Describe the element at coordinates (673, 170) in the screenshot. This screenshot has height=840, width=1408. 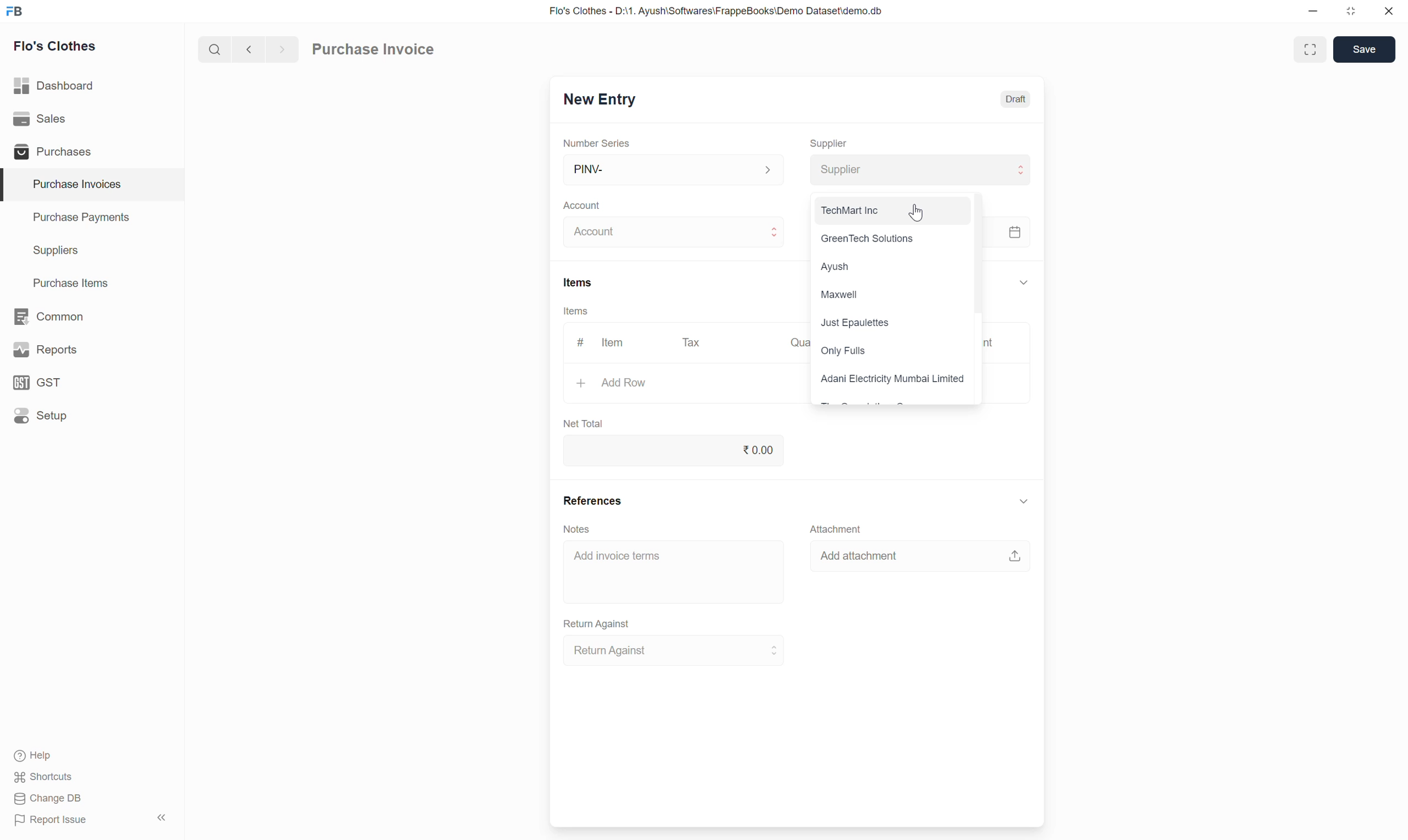
I see `PINV-` at that location.